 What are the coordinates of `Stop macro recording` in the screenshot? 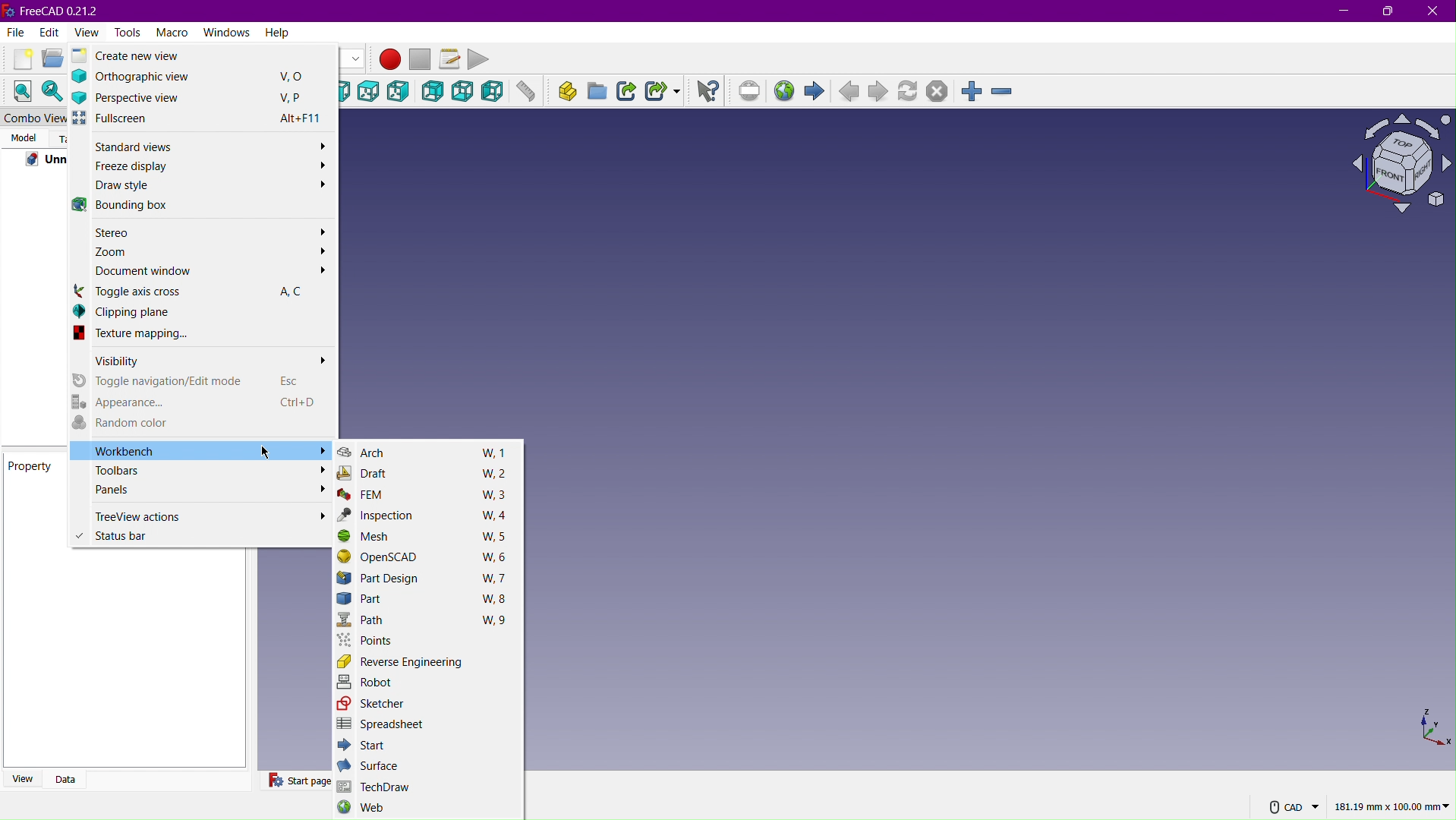 It's located at (421, 60).